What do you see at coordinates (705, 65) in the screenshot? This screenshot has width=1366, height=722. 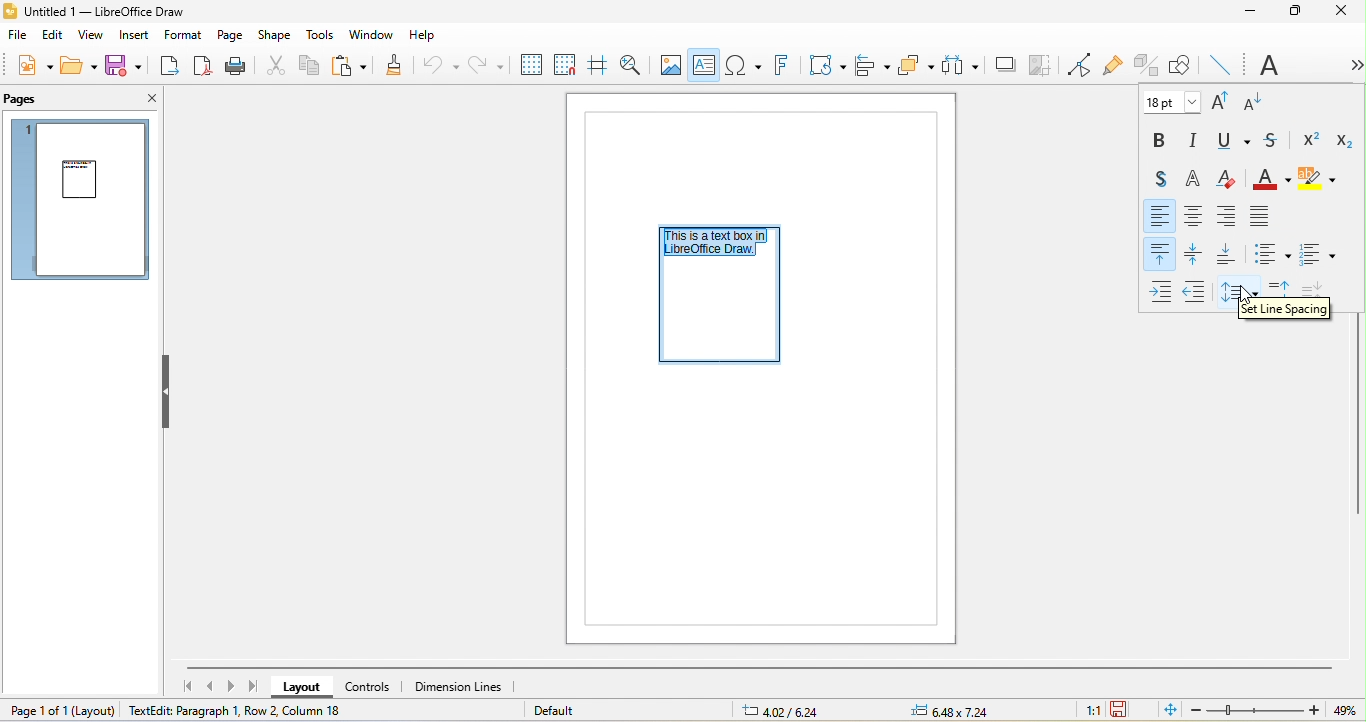 I see `text box` at bounding box center [705, 65].